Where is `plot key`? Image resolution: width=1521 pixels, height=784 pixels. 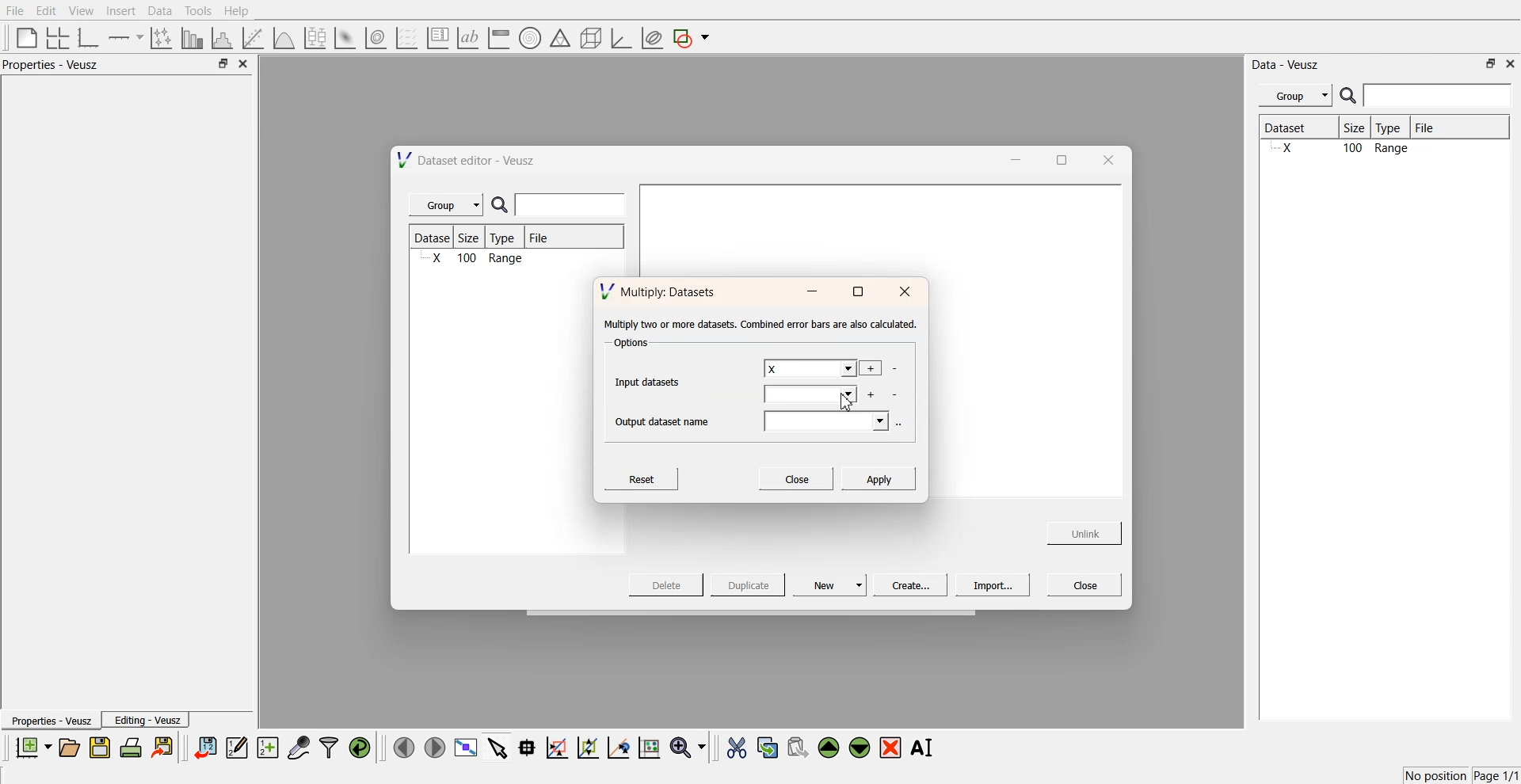
plot key is located at coordinates (437, 38).